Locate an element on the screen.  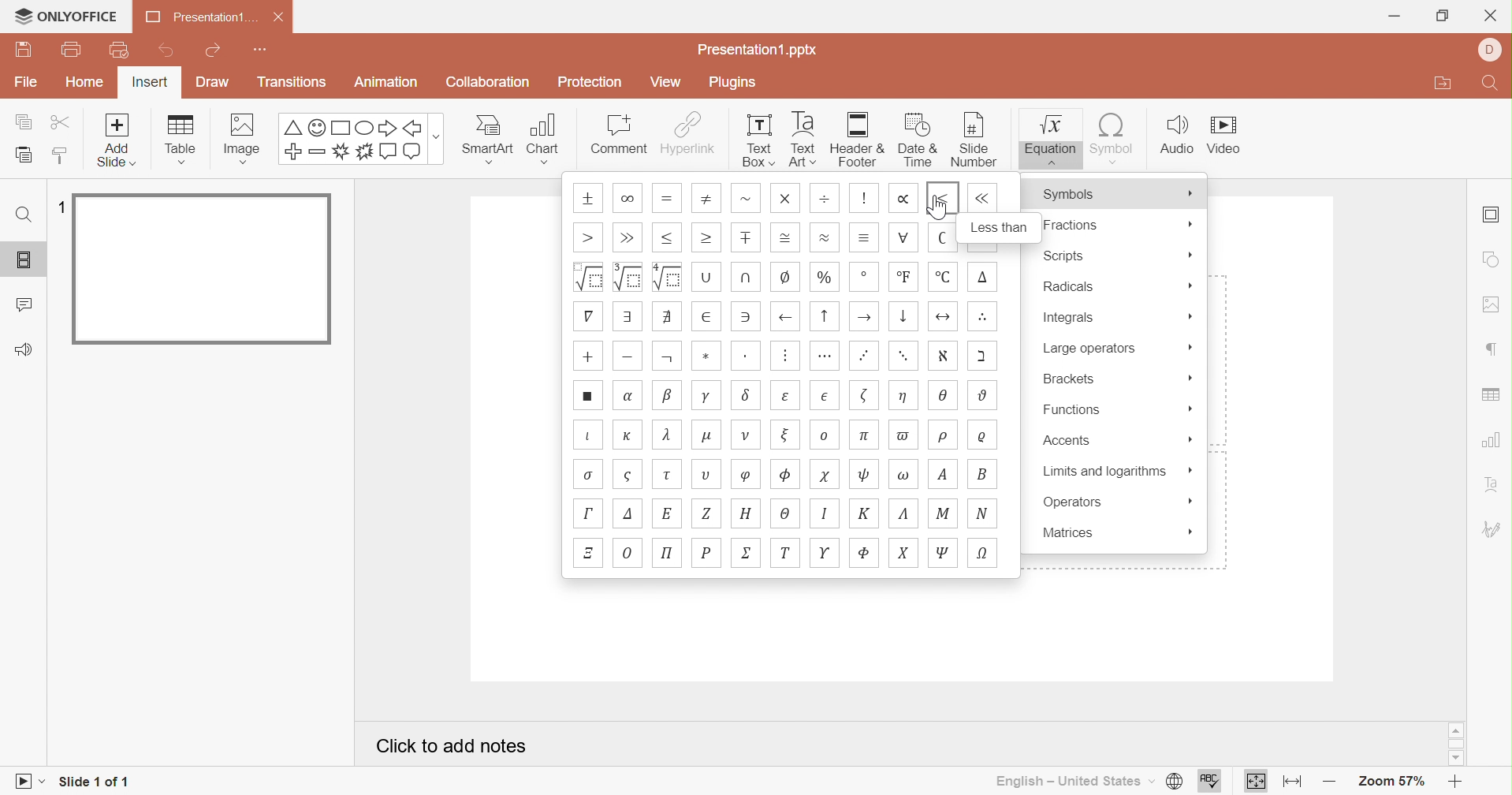
Presentation1 is located at coordinates (196, 19).